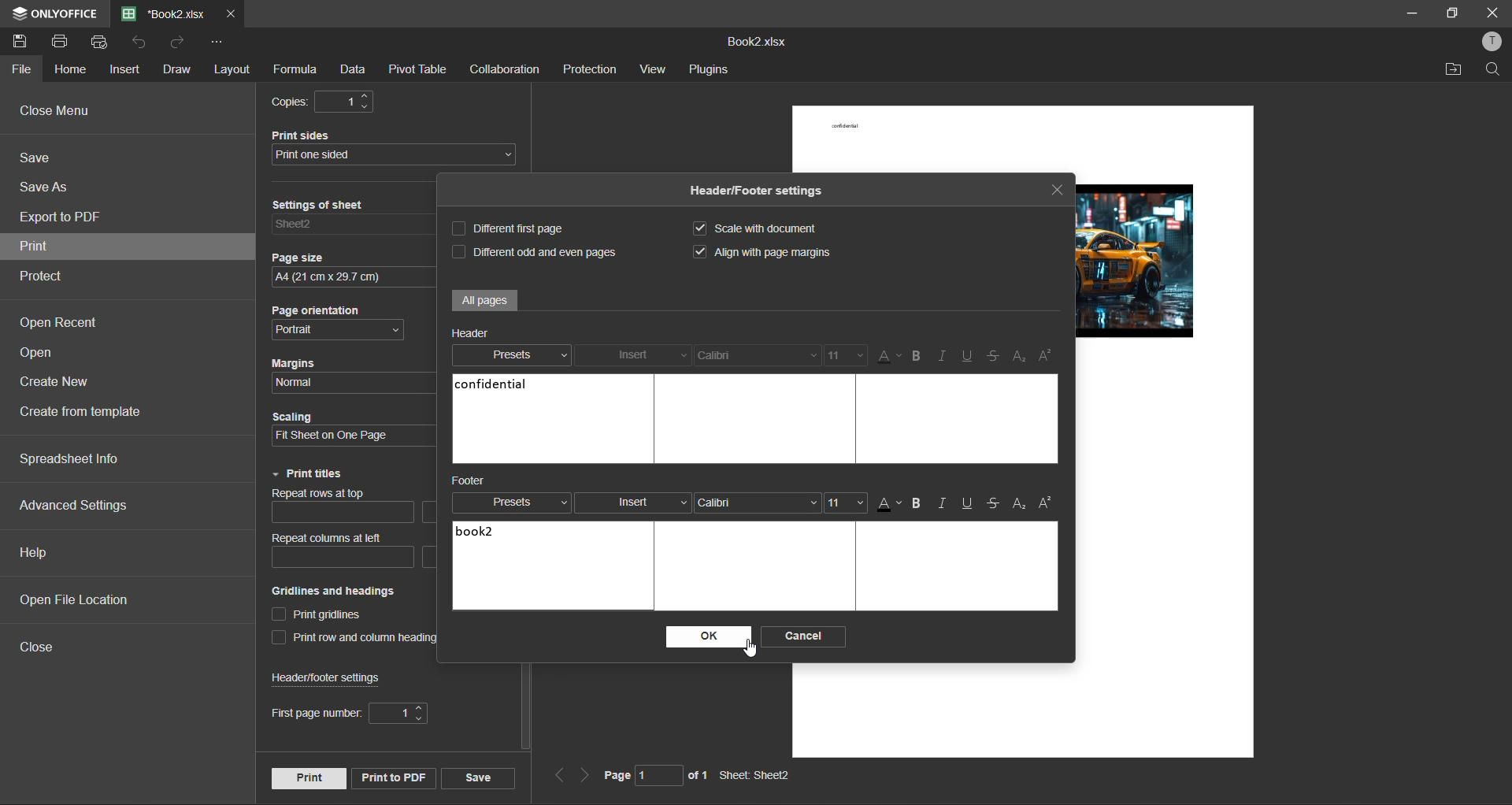 This screenshot has height=805, width=1512. I want to click on book2, so click(476, 532).